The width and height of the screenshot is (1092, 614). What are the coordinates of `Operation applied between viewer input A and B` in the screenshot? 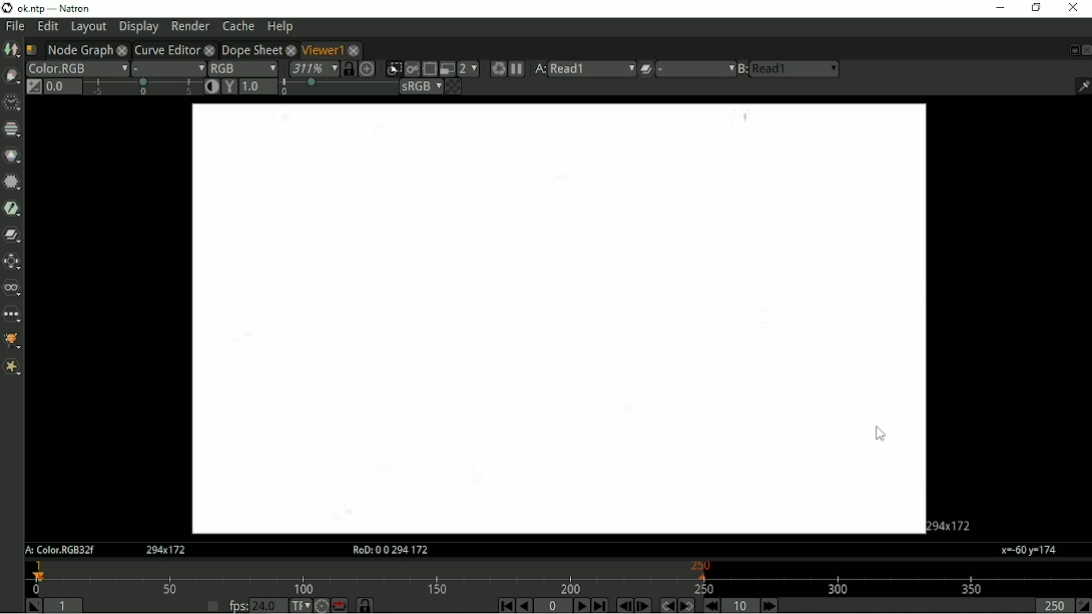 It's located at (645, 70).